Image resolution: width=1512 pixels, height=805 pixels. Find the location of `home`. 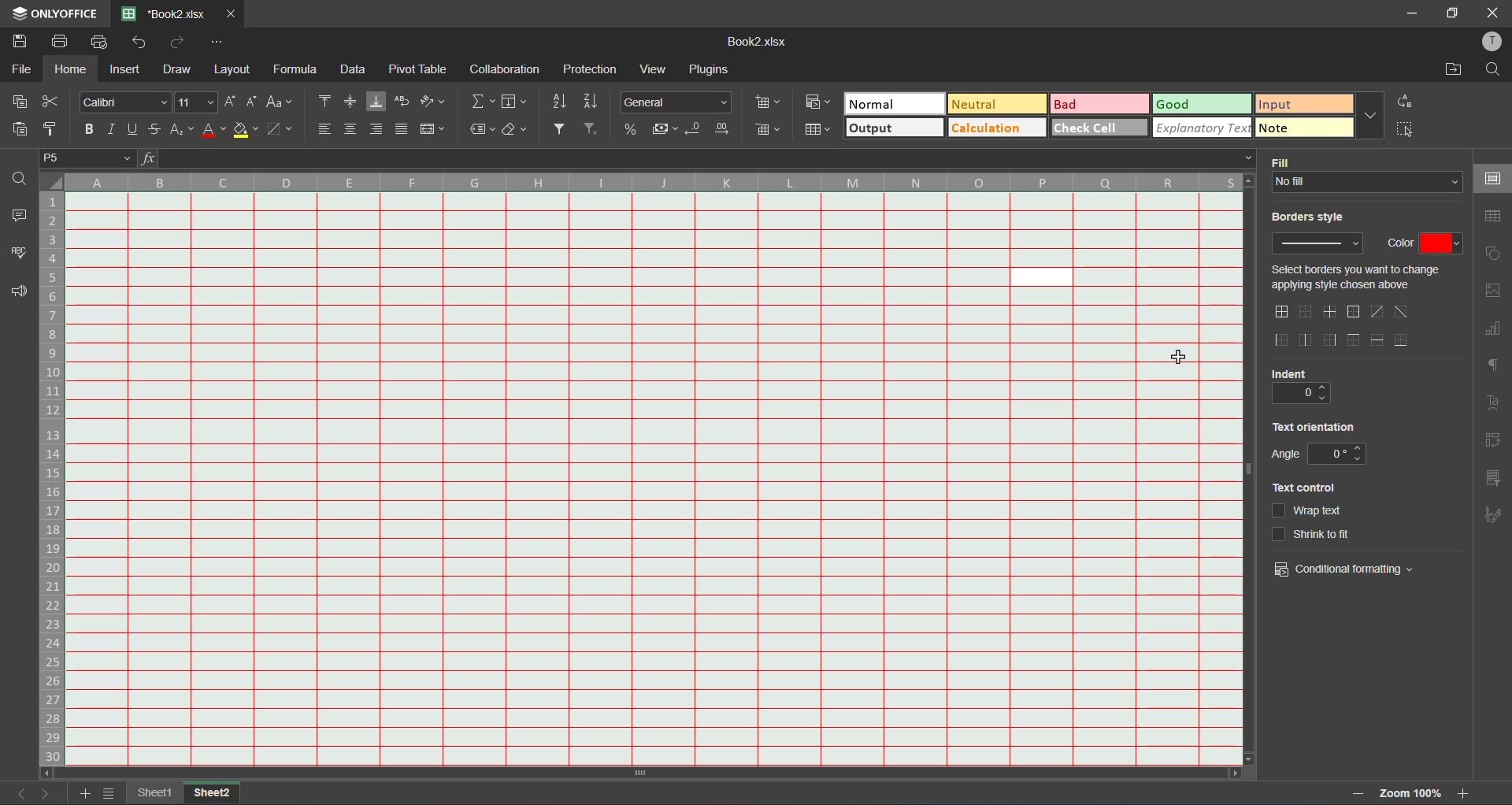

home is located at coordinates (75, 72).